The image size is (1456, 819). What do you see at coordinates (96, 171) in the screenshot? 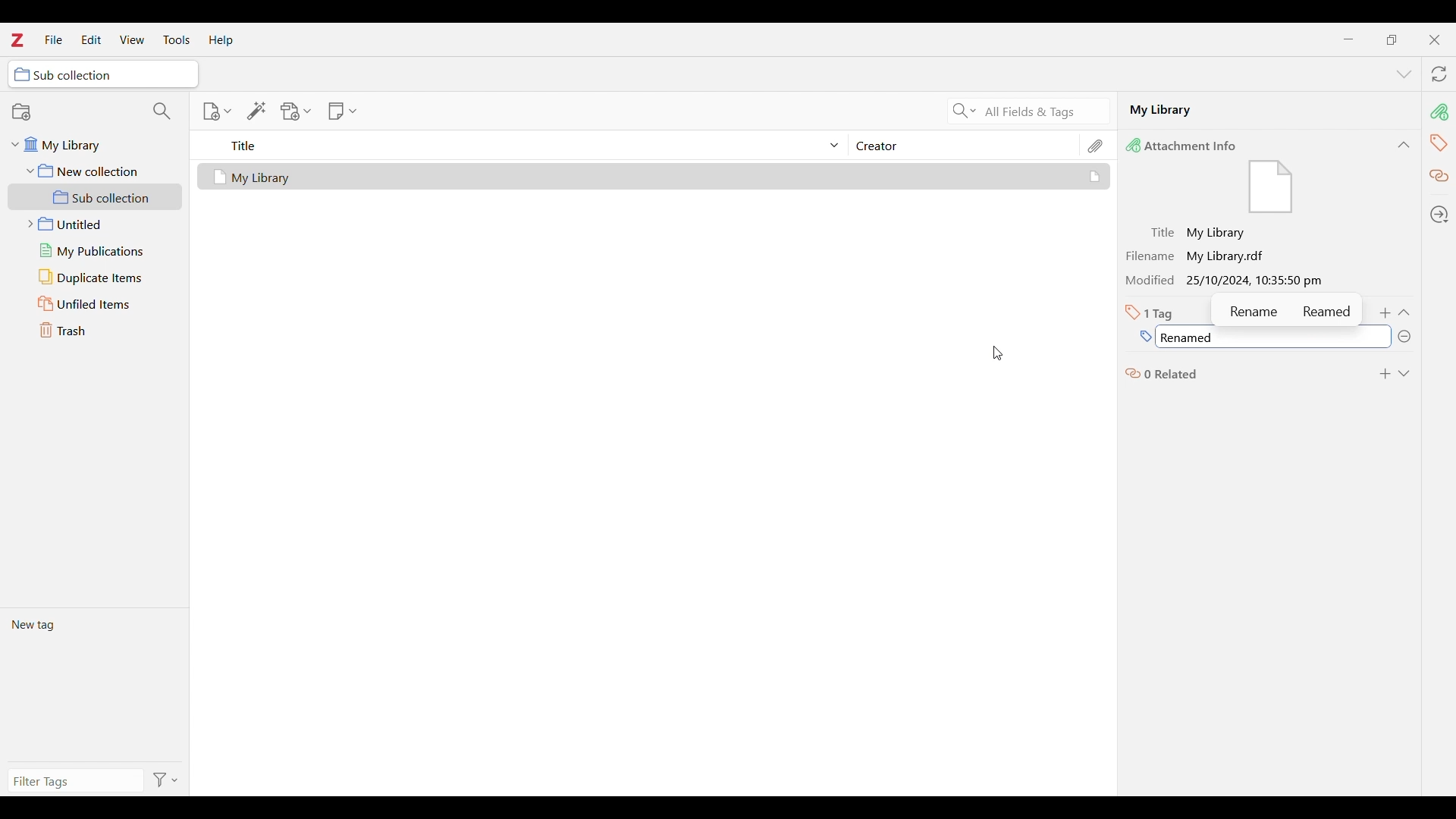
I see `New collection folder` at bounding box center [96, 171].